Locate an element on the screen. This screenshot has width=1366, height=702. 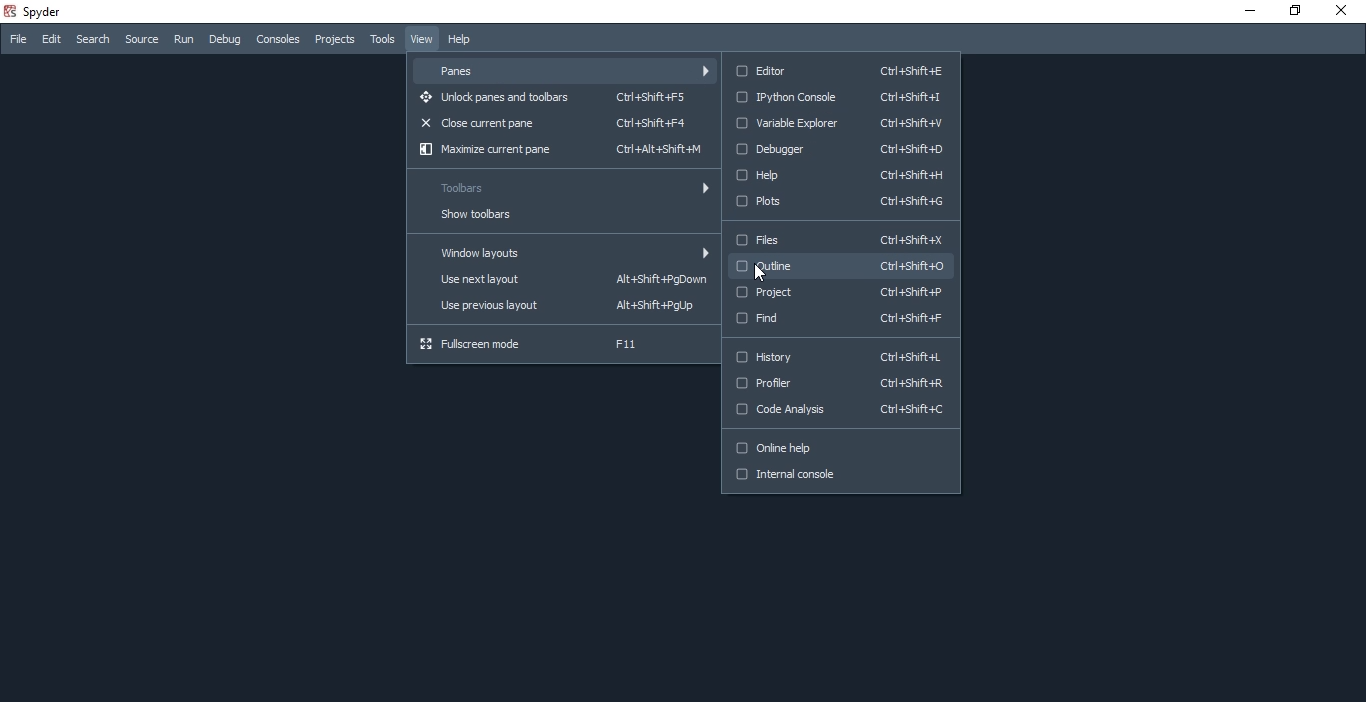
Files is located at coordinates (839, 239).